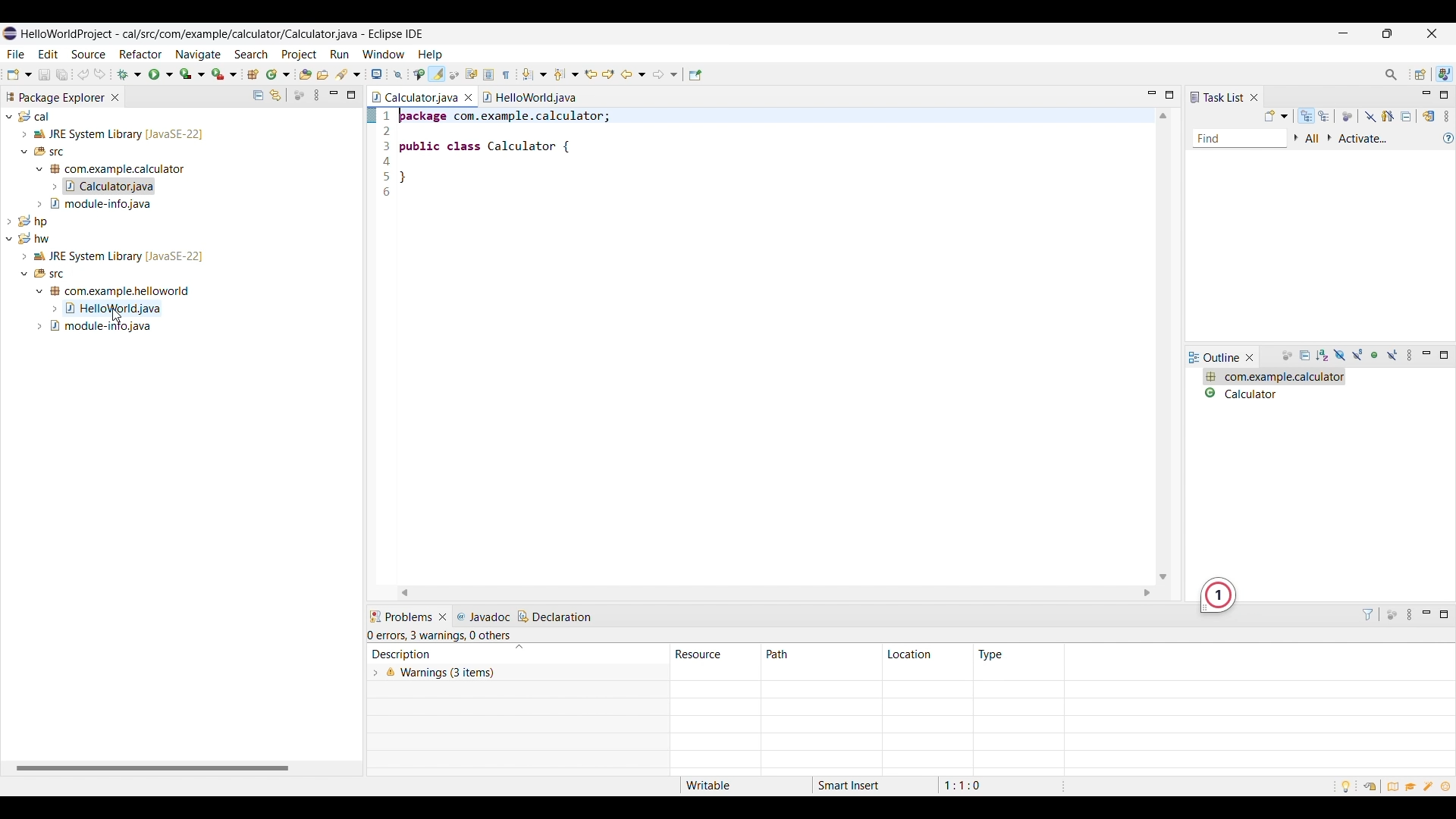 This screenshot has height=819, width=1456. I want to click on hw project, so click(177, 283).